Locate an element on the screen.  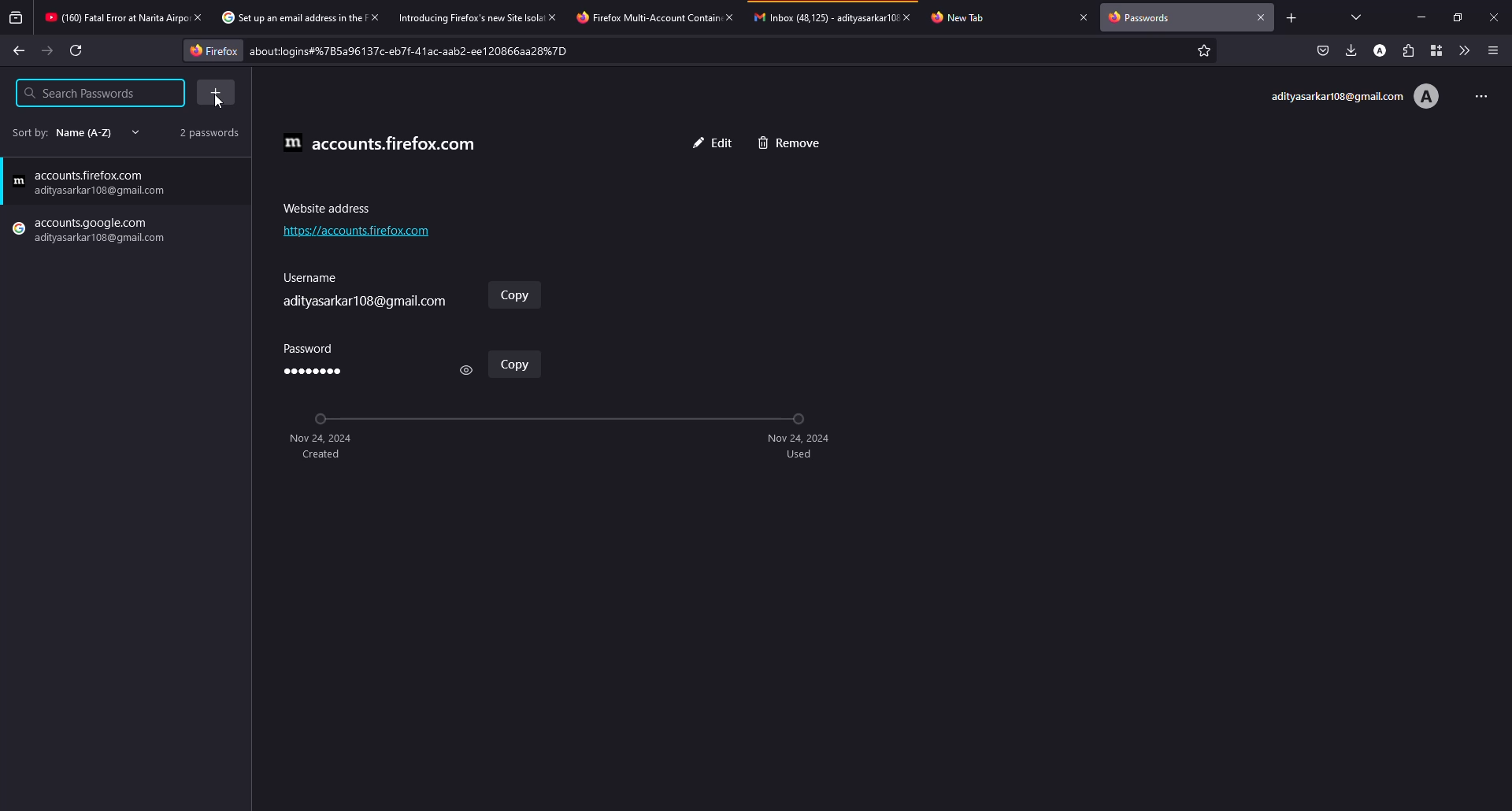
menu is located at coordinates (1493, 50).